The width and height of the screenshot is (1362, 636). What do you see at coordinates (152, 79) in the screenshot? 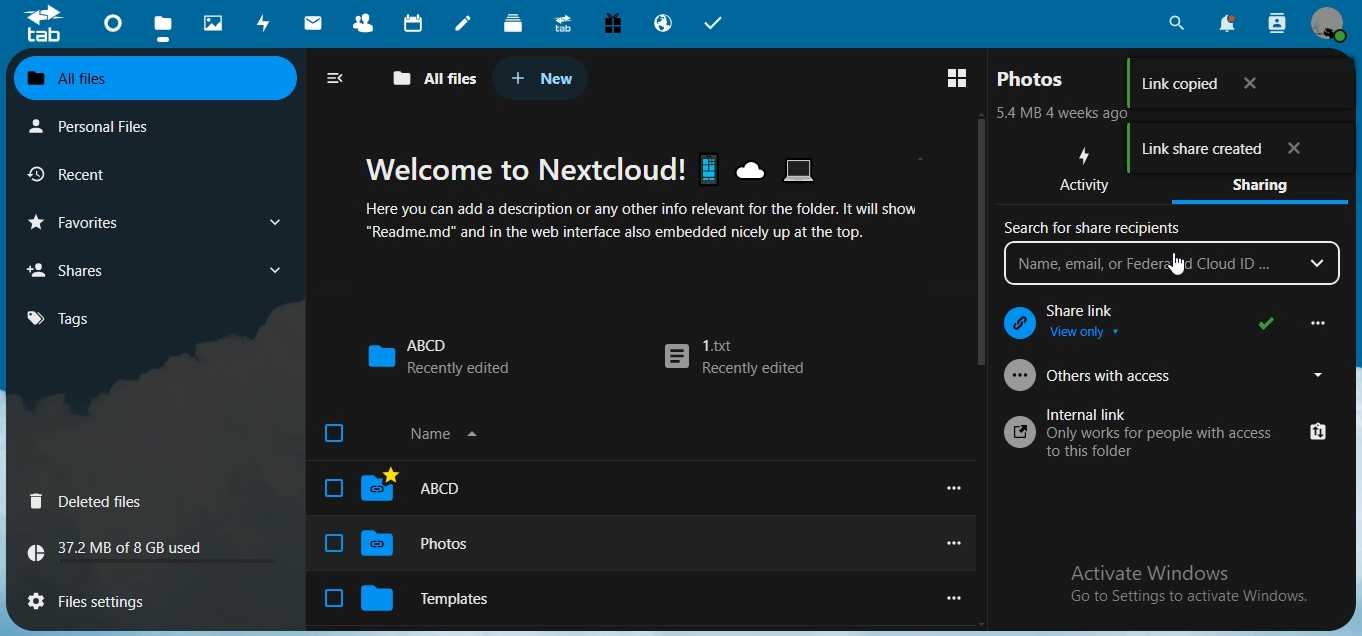
I see `all files` at bounding box center [152, 79].